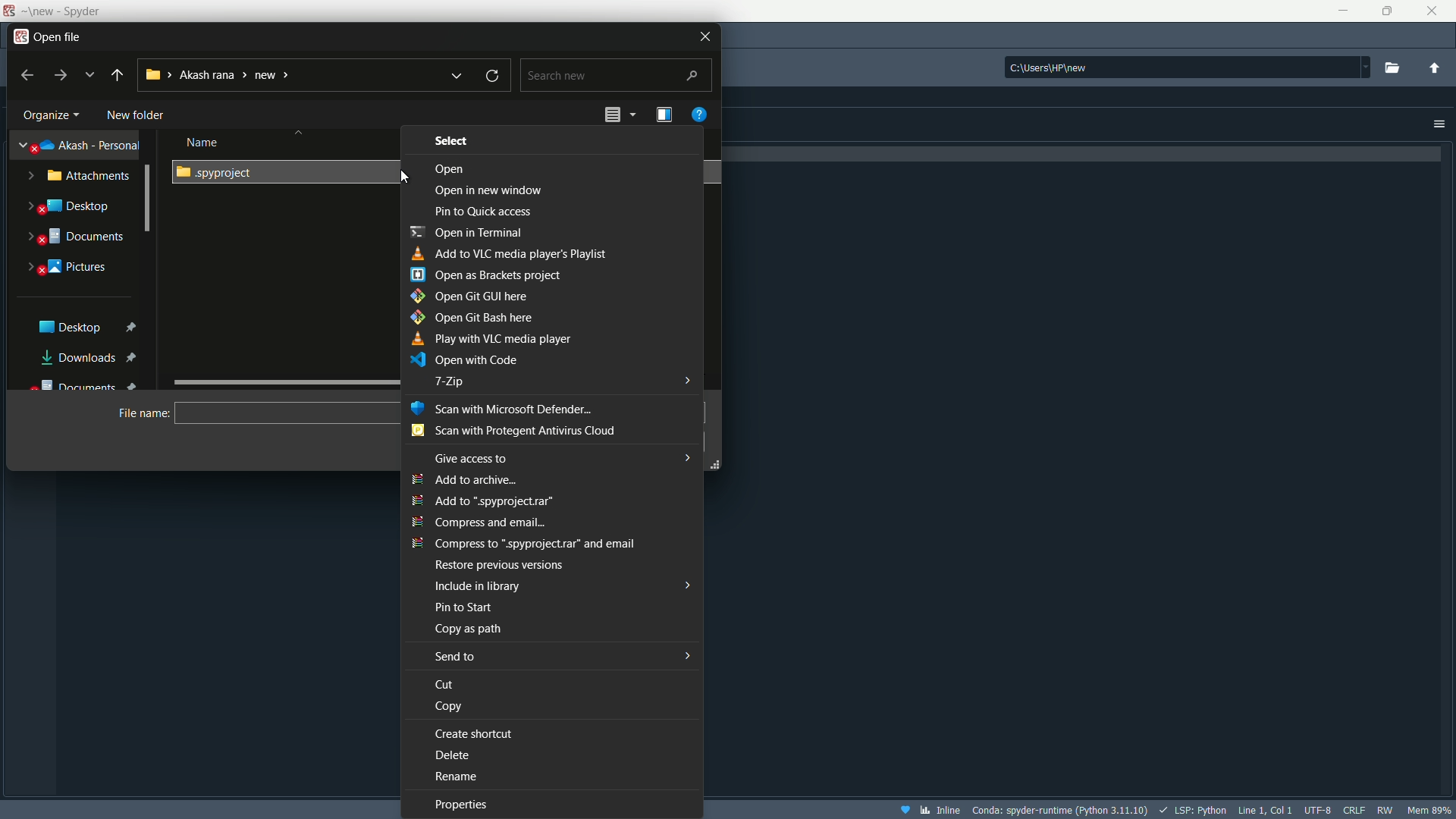 The image size is (1456, 819). I want to click on maximize, so click(1389, 12).